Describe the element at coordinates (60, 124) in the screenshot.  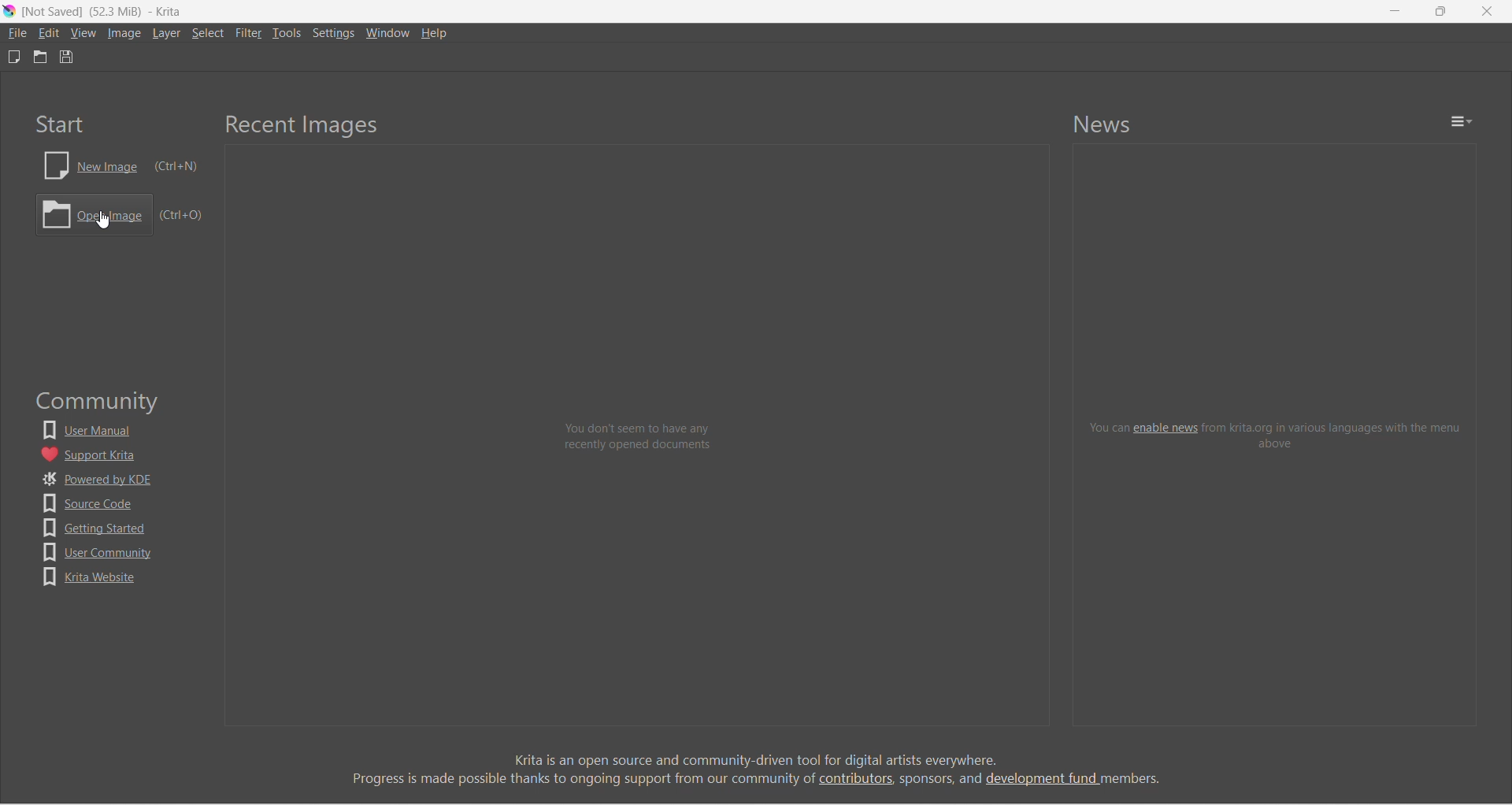
I see `start` at that location.